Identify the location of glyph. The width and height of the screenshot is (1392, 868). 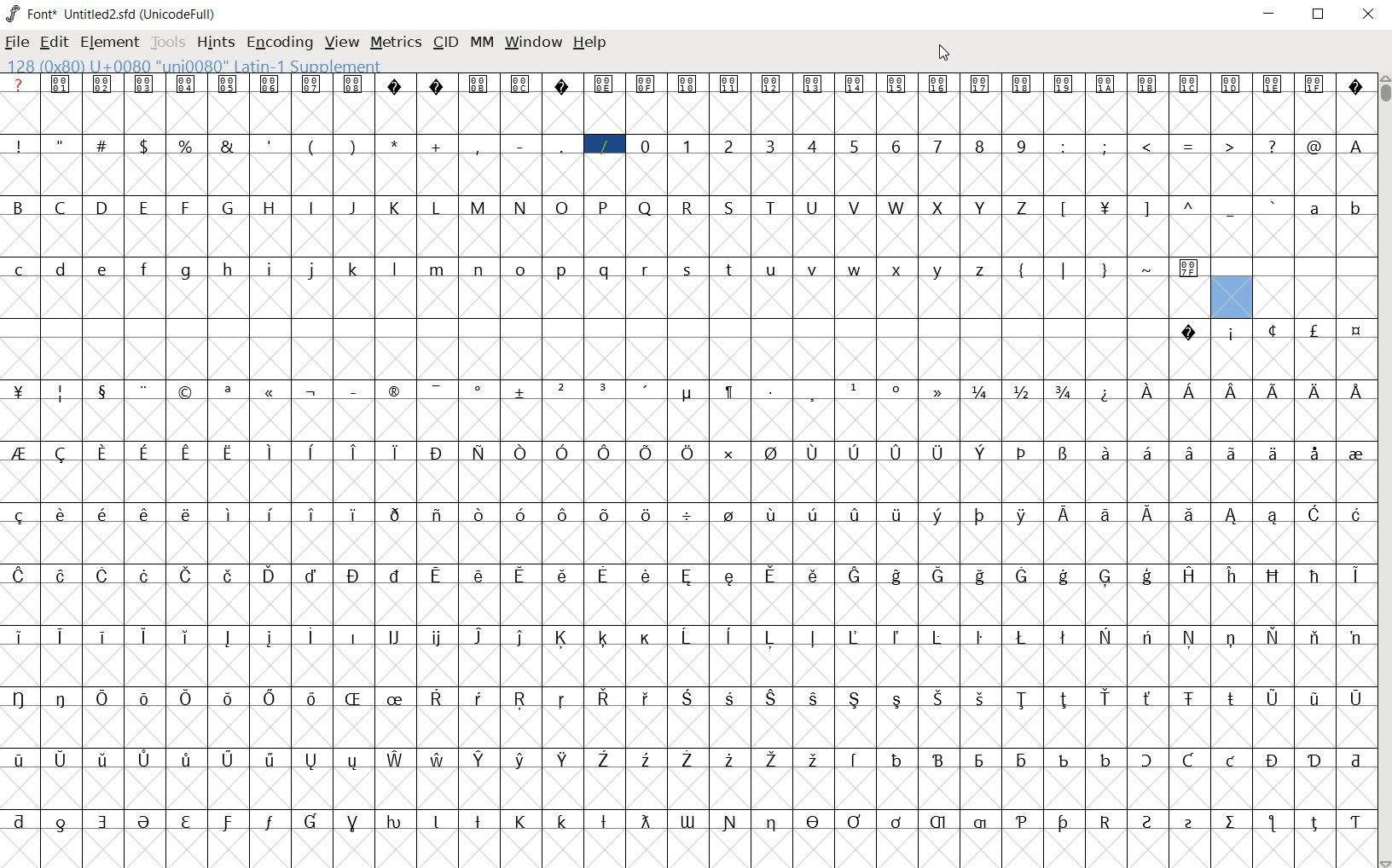
(61, 454).